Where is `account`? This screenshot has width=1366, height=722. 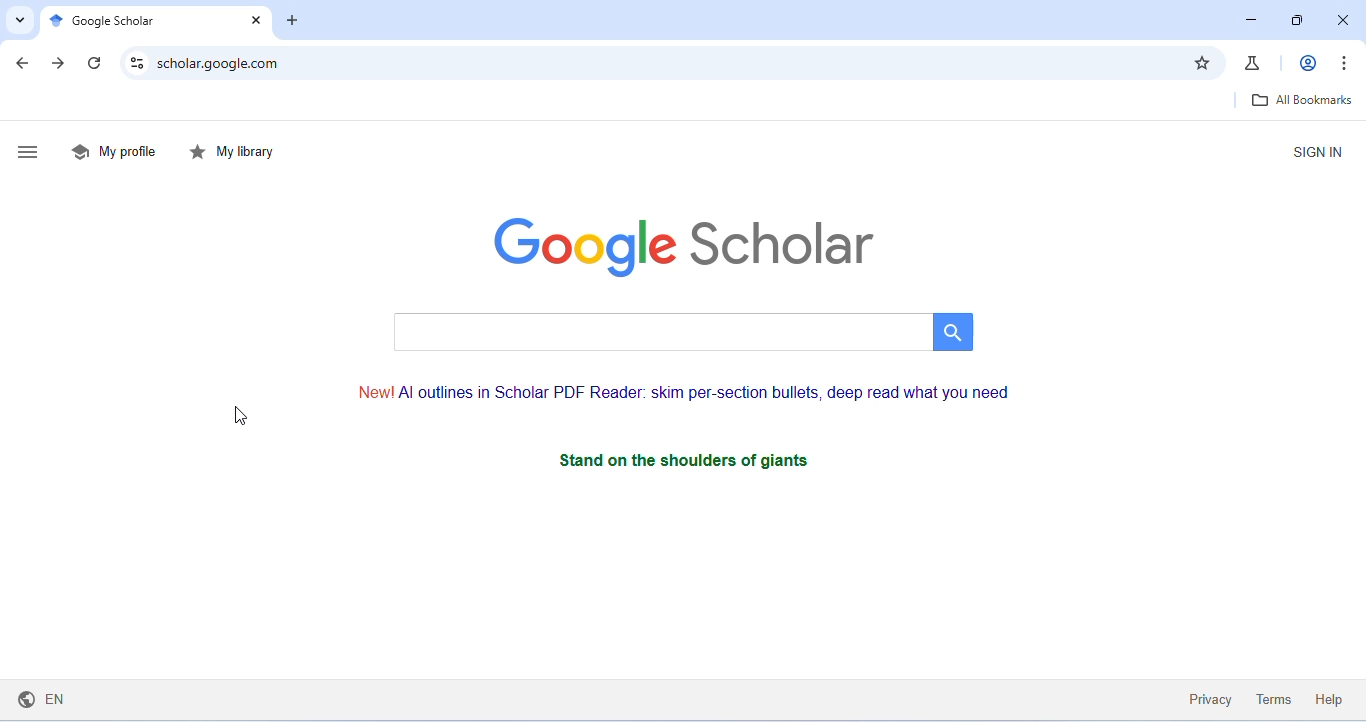 account is located at coordinates (1310, 62).